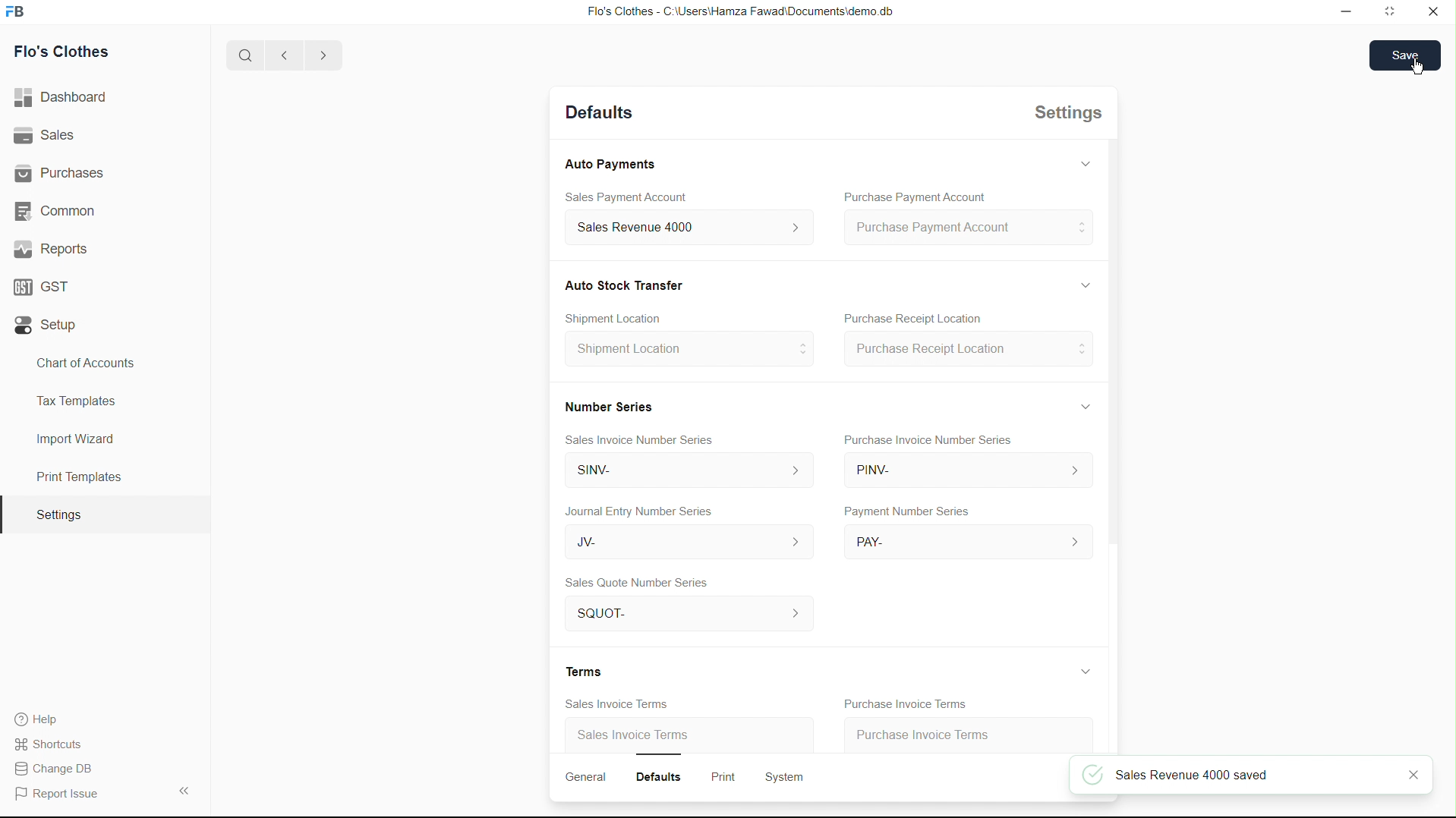  I want to click on PINV-, so click(968, 472).